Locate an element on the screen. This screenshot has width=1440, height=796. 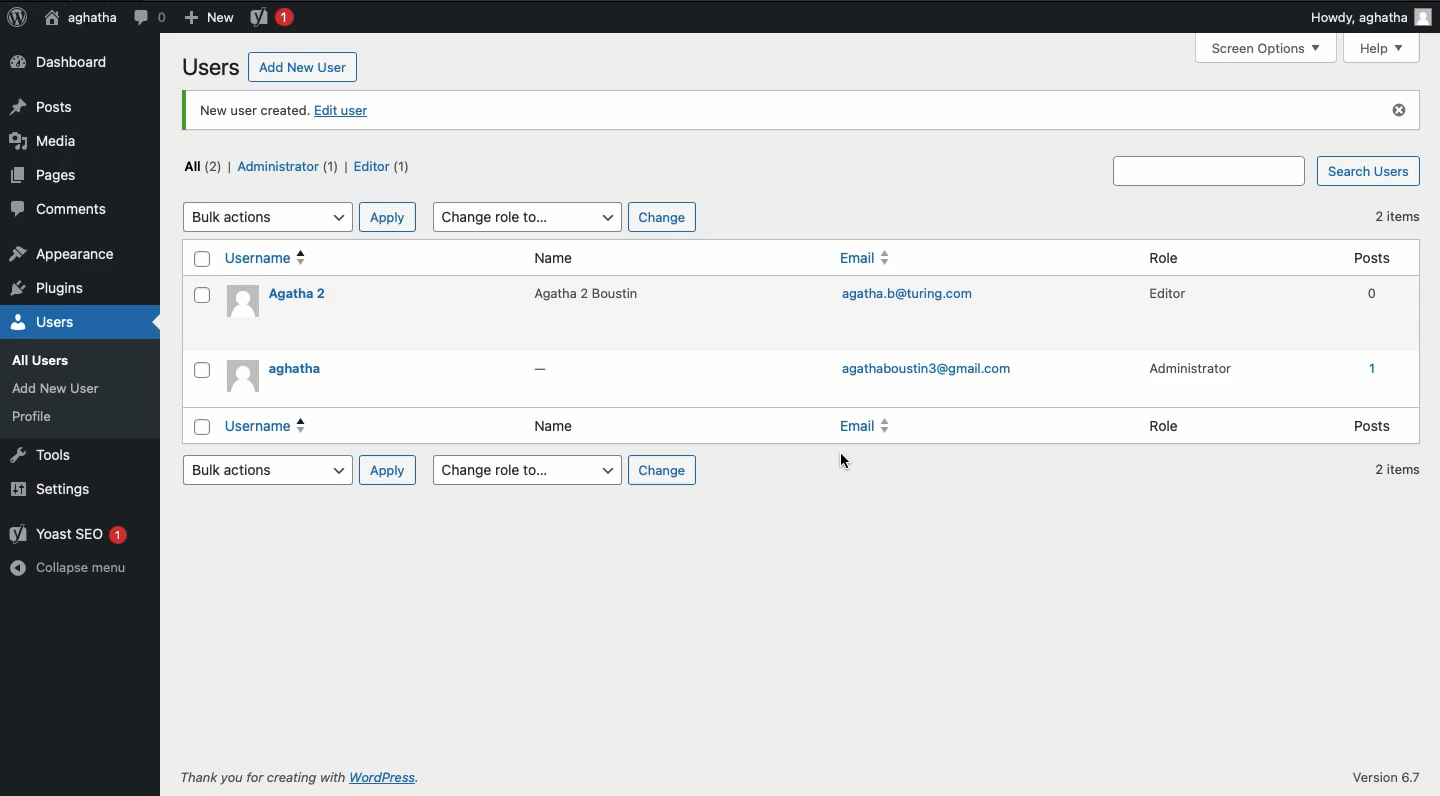
profile is located at coordinates (38, 416).